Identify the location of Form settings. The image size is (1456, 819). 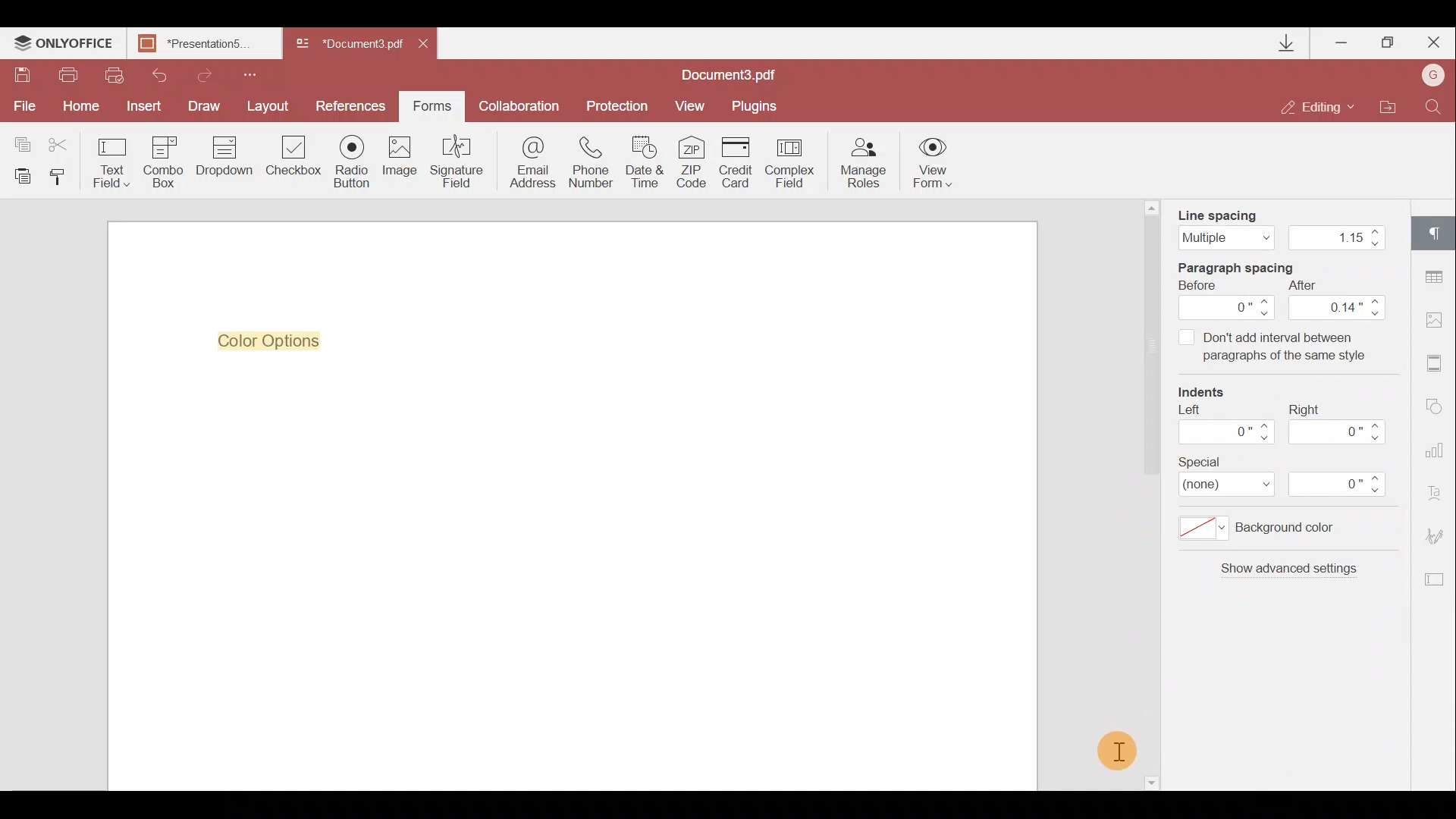
(1434, 578).